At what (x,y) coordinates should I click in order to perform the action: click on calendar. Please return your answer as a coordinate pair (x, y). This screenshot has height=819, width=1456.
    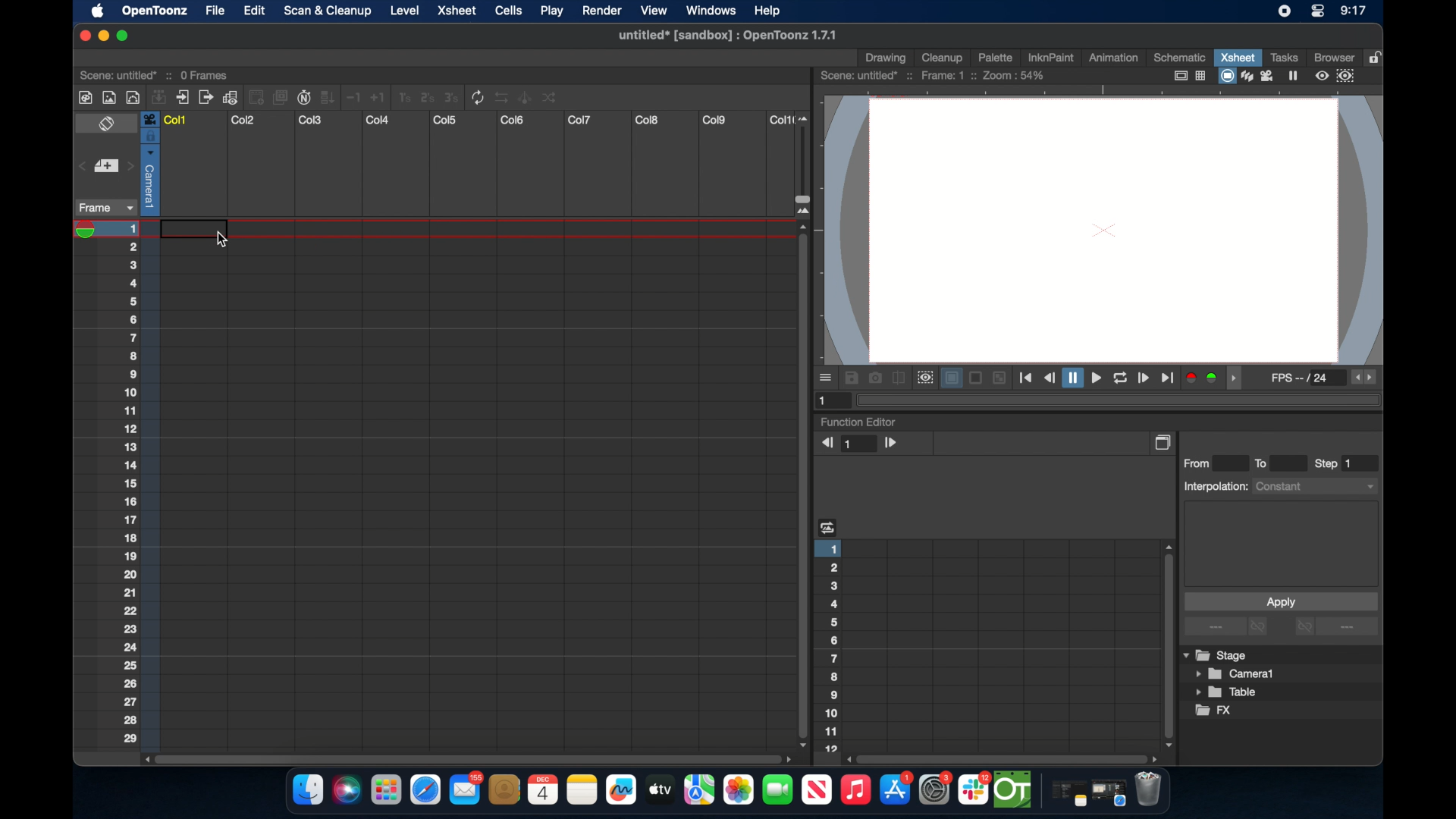
    Looking at the image, I should click on (542, 789).